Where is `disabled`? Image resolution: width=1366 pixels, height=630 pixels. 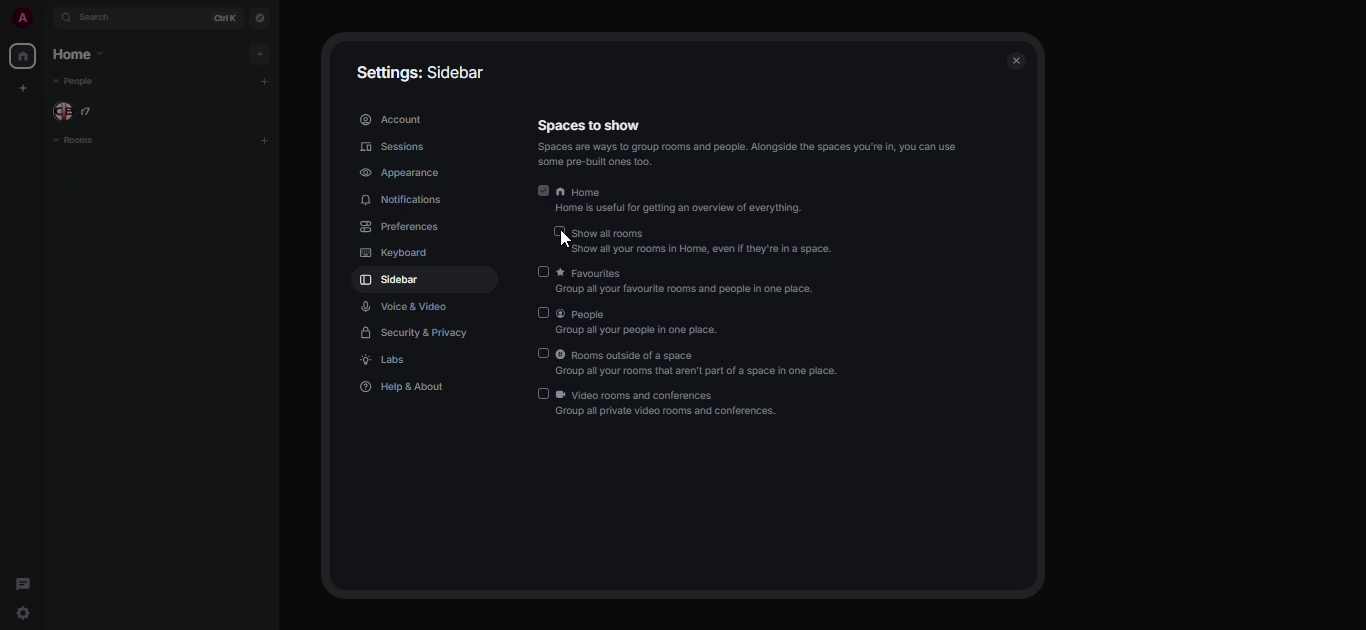 disabled is located at coordinates (544, 312).